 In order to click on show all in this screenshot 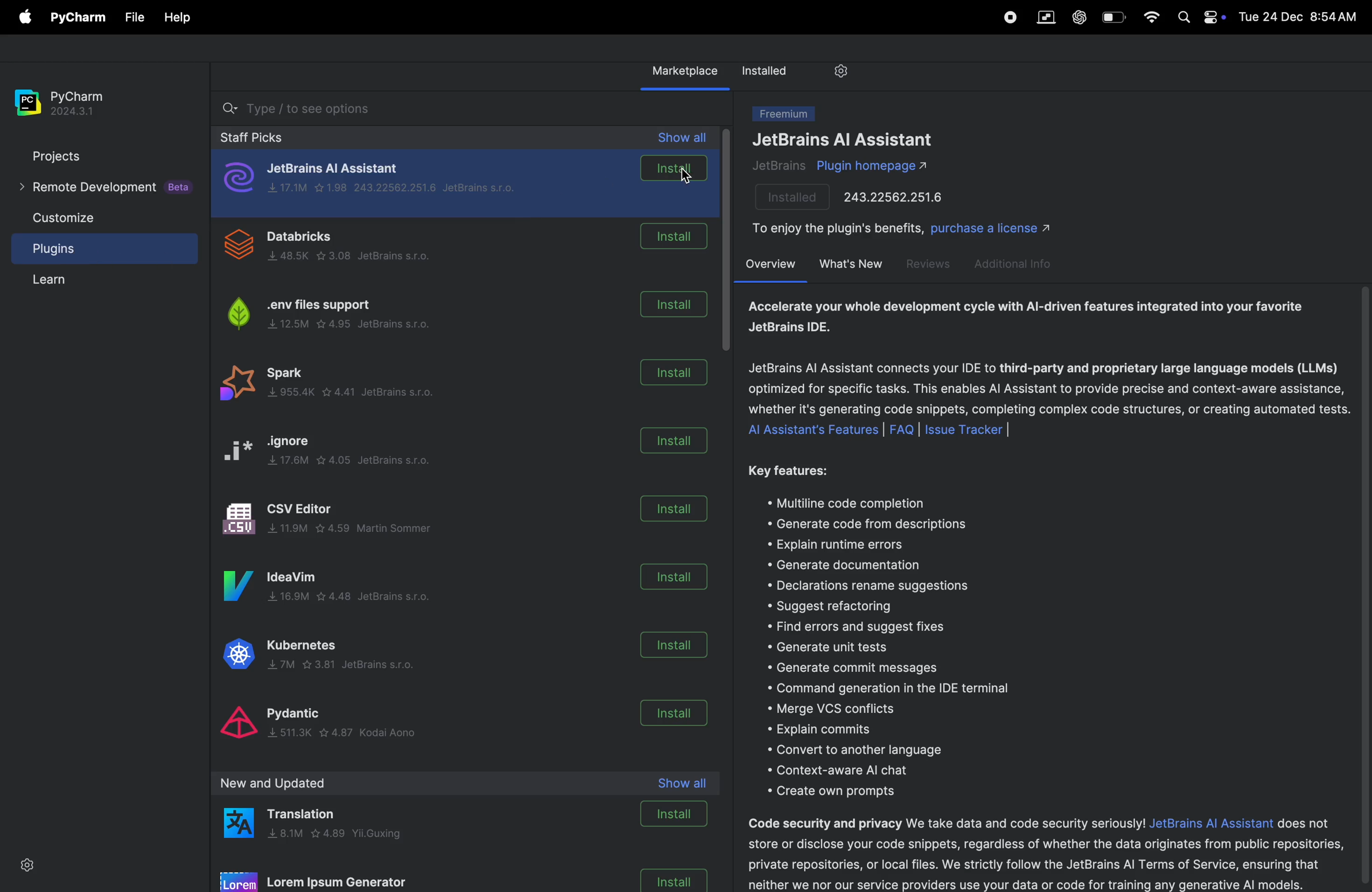, I will do `click(682, 138)`.